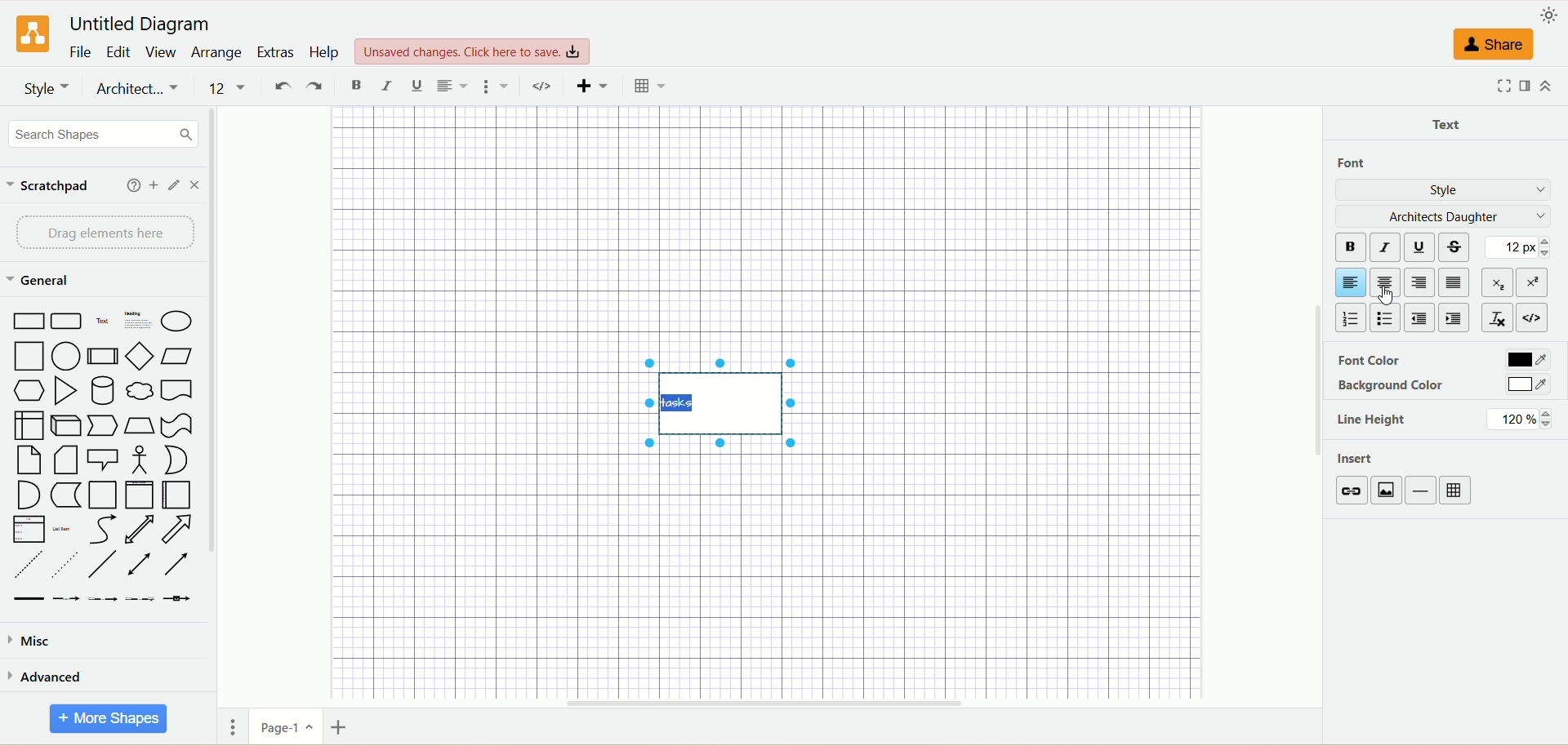 This screenshot has width=1568, height=746. What do you see at coordinates (162, 52) in the screenshot?
I see `view` at bounding box center [162, 52].